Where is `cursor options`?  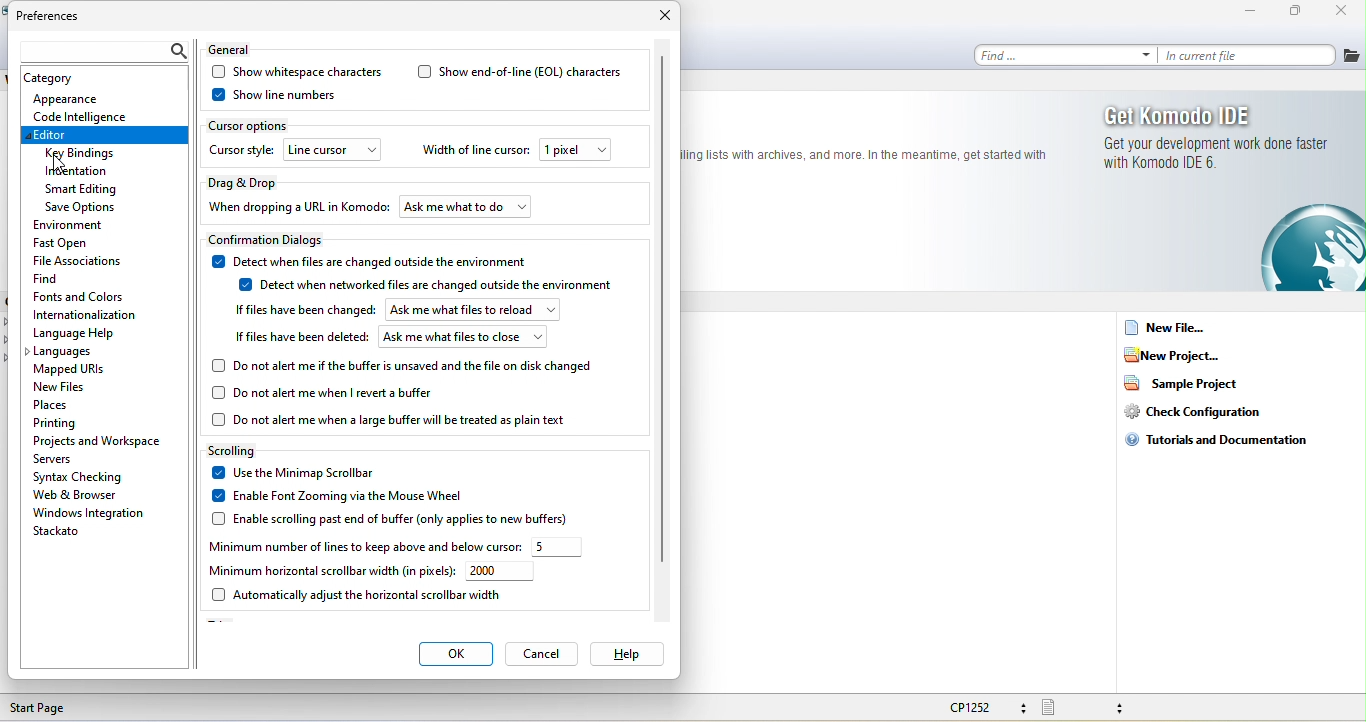
cursor options is located at coordinates (252, 125).